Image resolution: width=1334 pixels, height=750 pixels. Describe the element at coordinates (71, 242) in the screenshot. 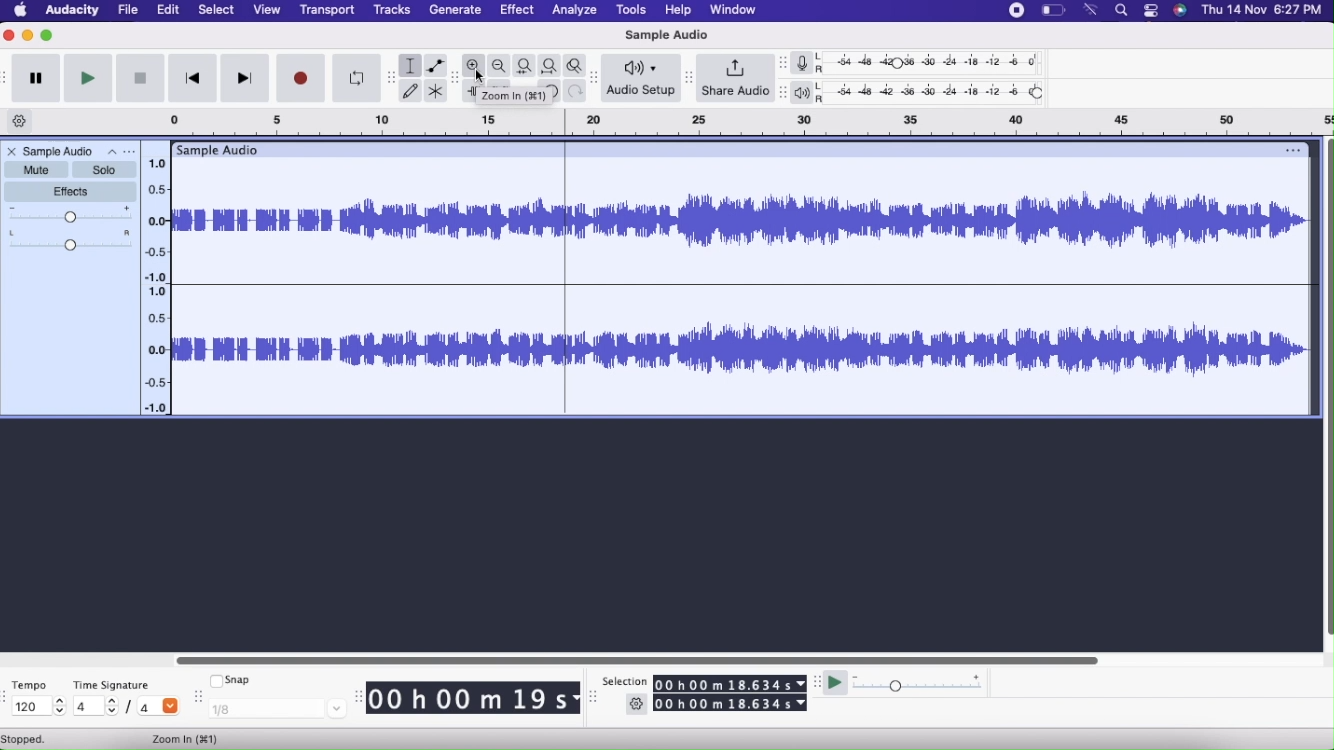

I see `Pan: Center` at that location.